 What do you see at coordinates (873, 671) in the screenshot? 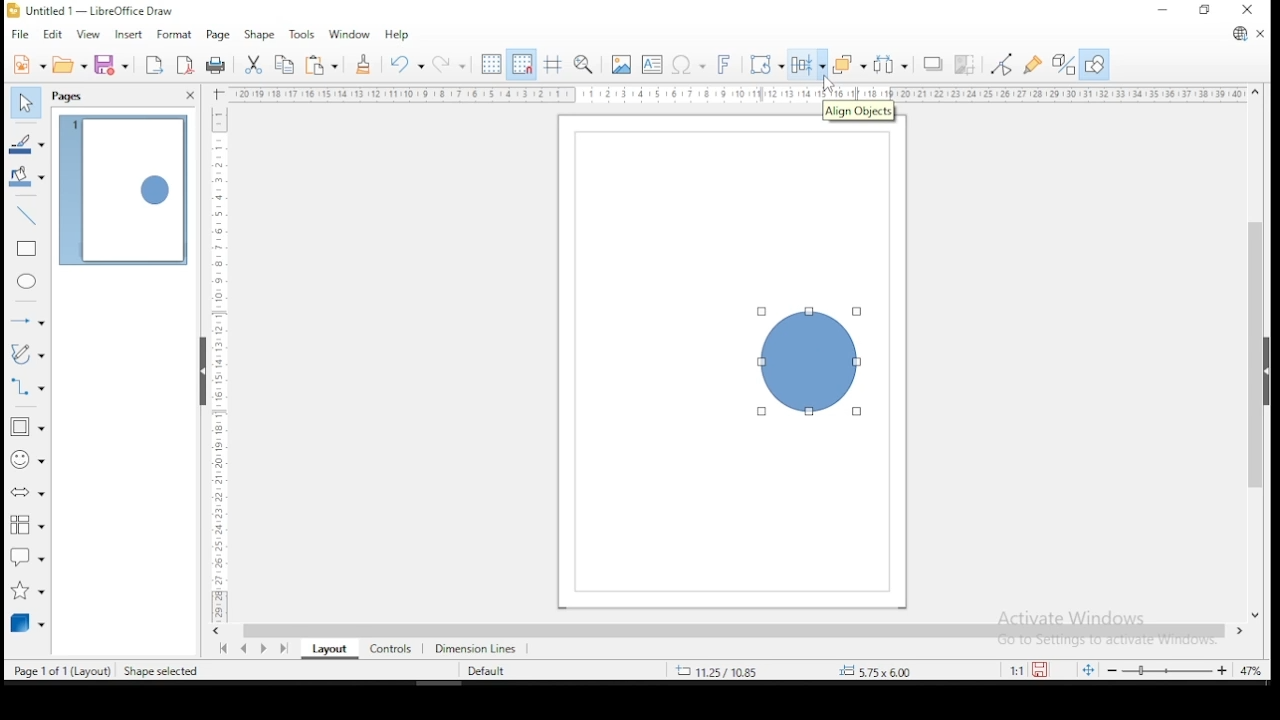
I see `5.75x6.00` at bounding box center [873, 671].